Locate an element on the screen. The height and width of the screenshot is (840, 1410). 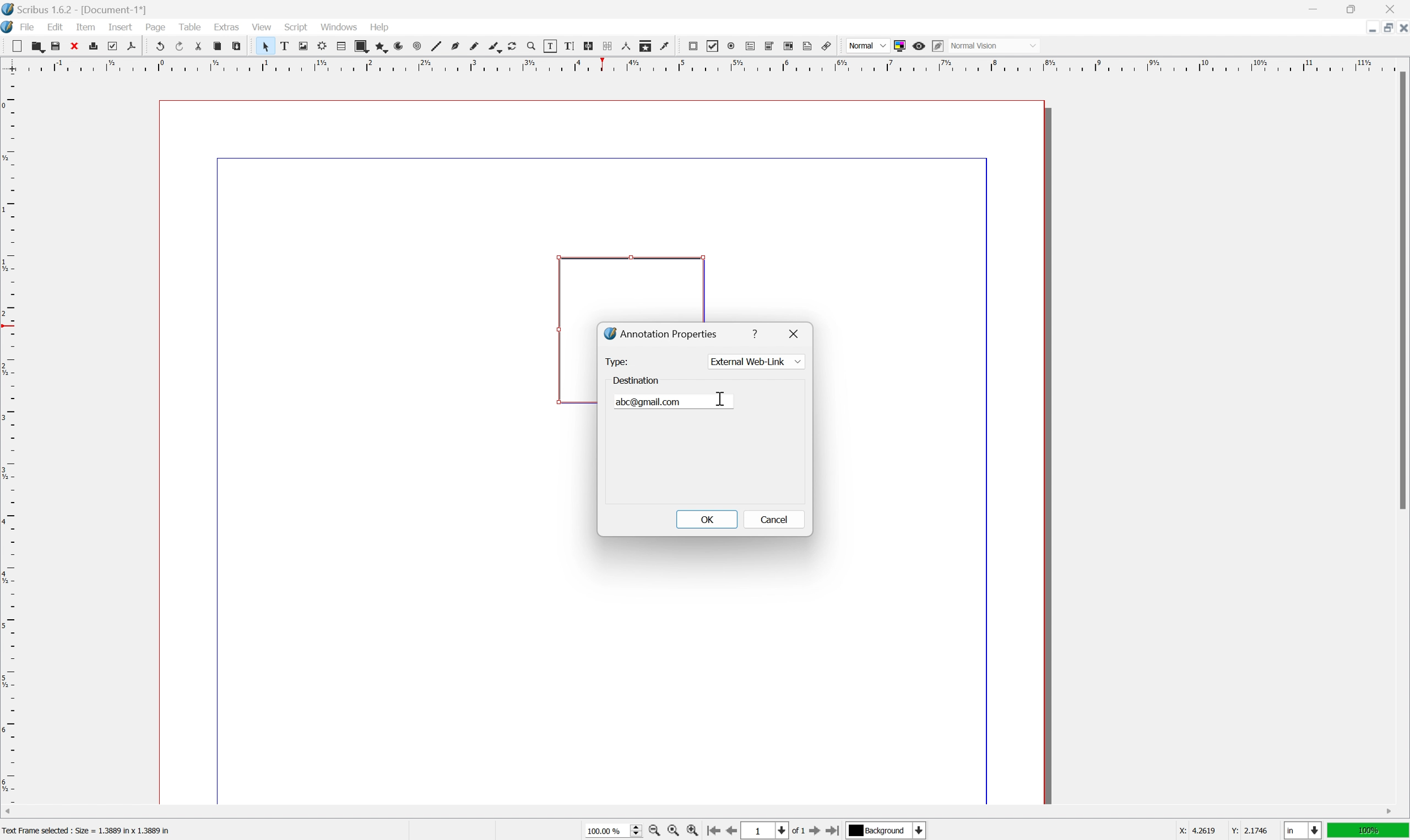
cut is located at coordinates (199, 46).